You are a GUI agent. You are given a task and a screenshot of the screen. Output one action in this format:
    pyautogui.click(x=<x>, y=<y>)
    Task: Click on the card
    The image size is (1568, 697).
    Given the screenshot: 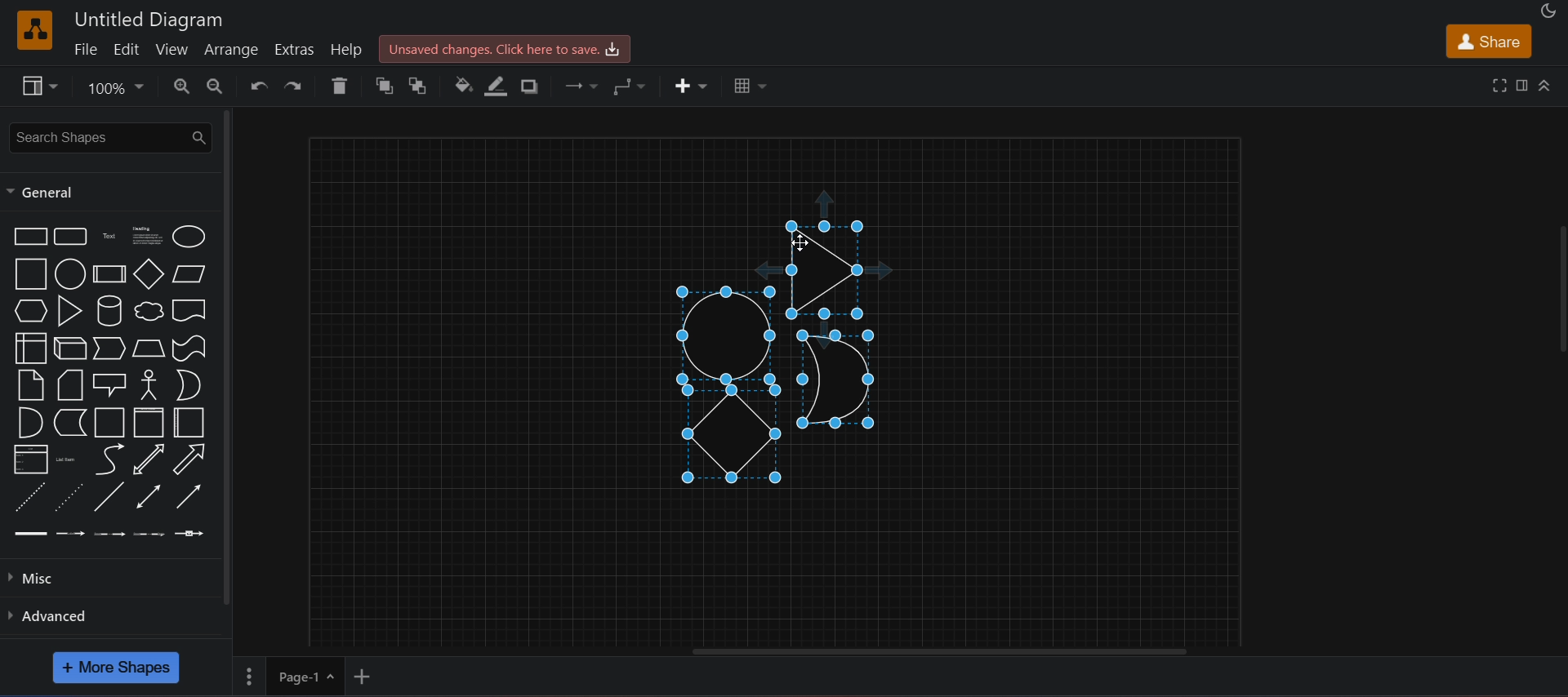 What is the action you would take?
    pyautogui.click(x=68, y=385)
    